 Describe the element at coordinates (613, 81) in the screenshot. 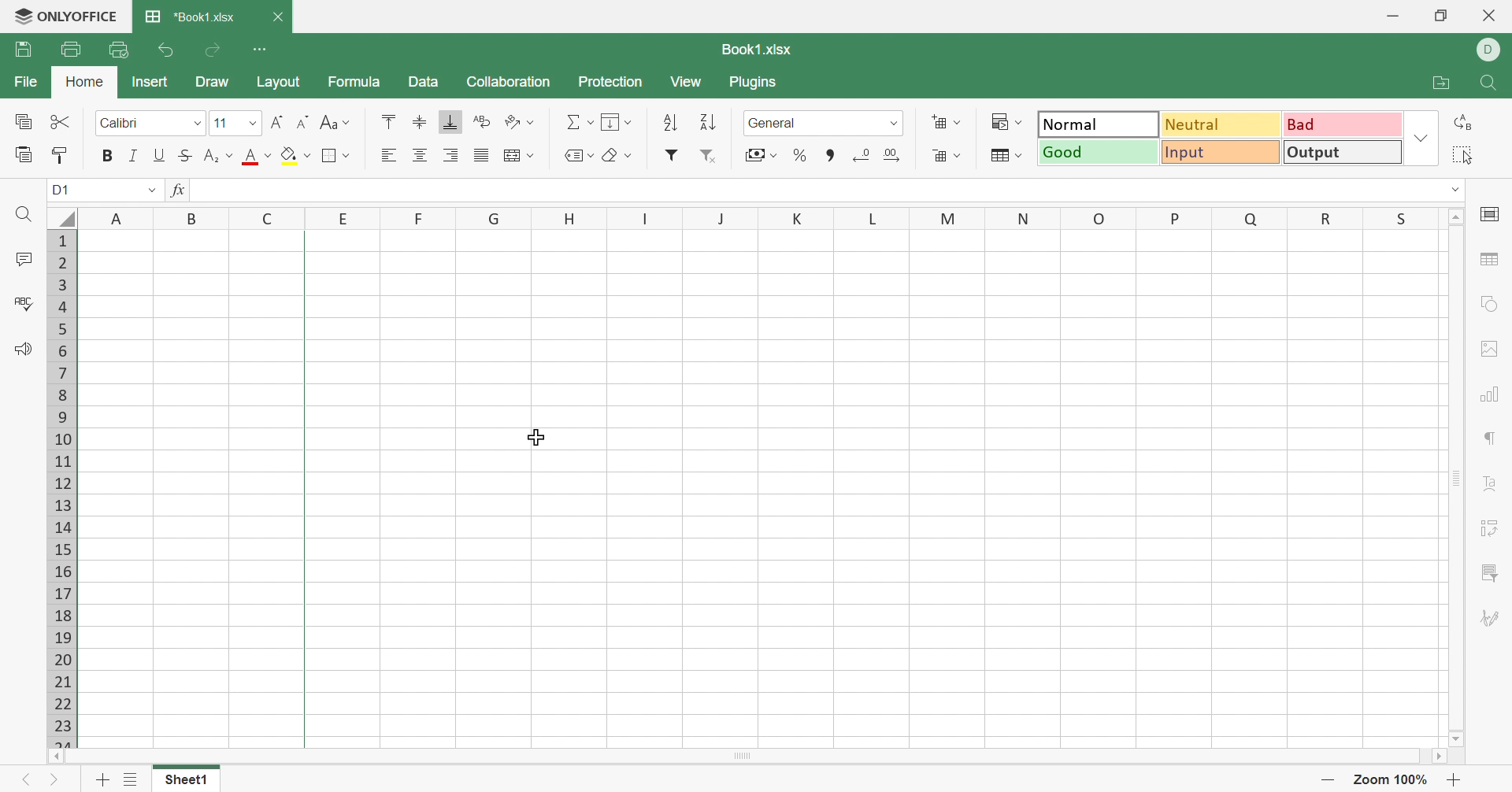

I see `Protection` at that location.